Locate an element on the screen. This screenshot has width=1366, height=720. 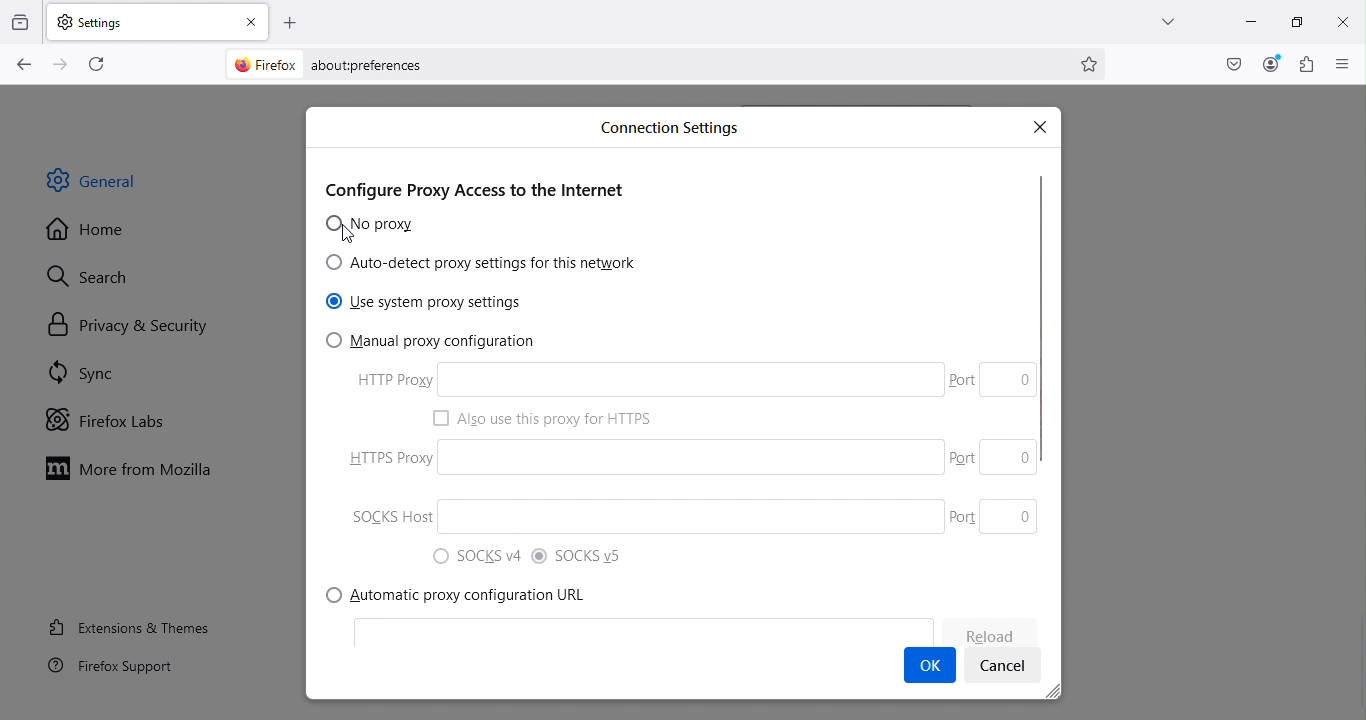
Cancel is located at coordinates (1001, 668).